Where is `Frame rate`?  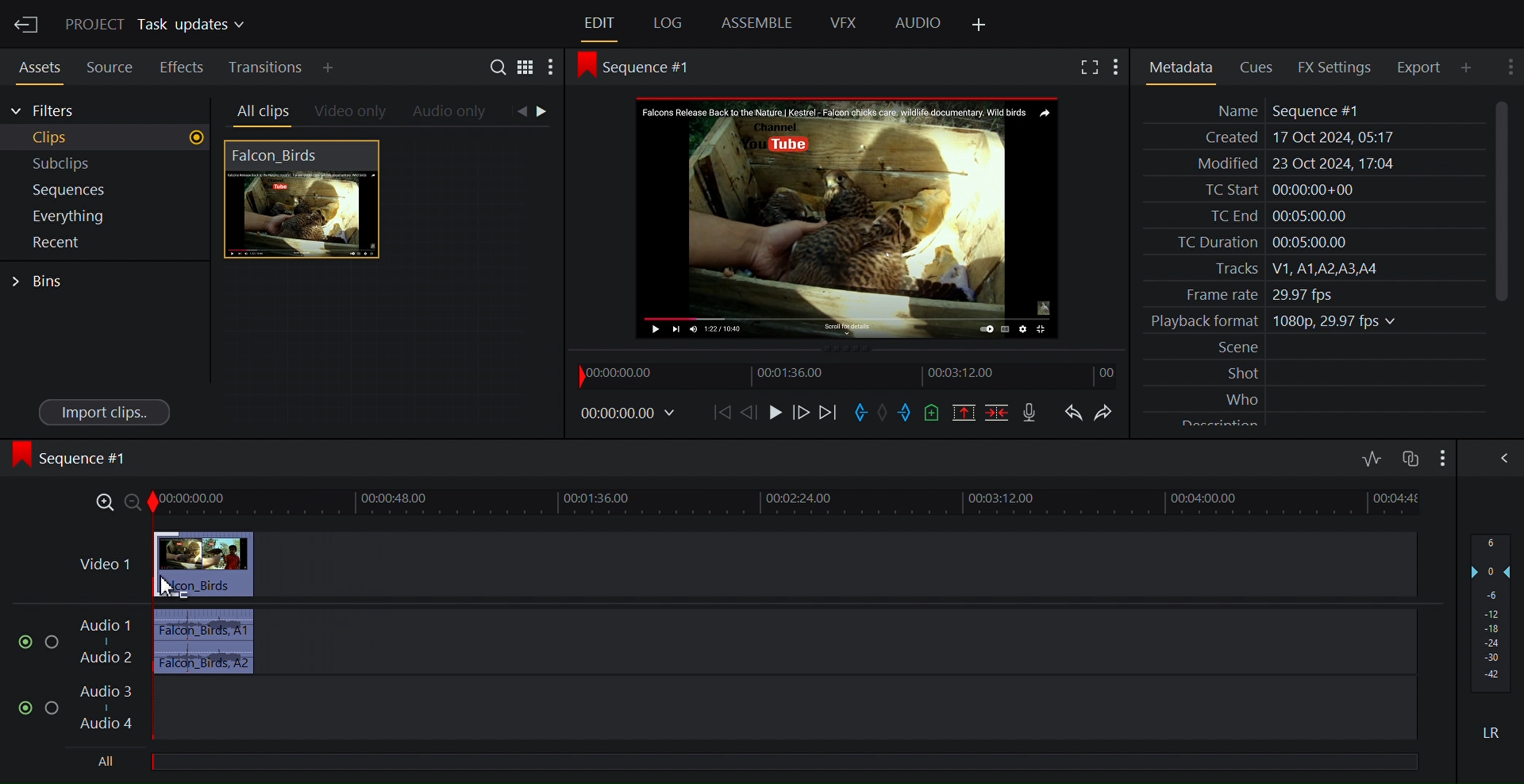 Frame rate is located at coordinates (1307, 292).